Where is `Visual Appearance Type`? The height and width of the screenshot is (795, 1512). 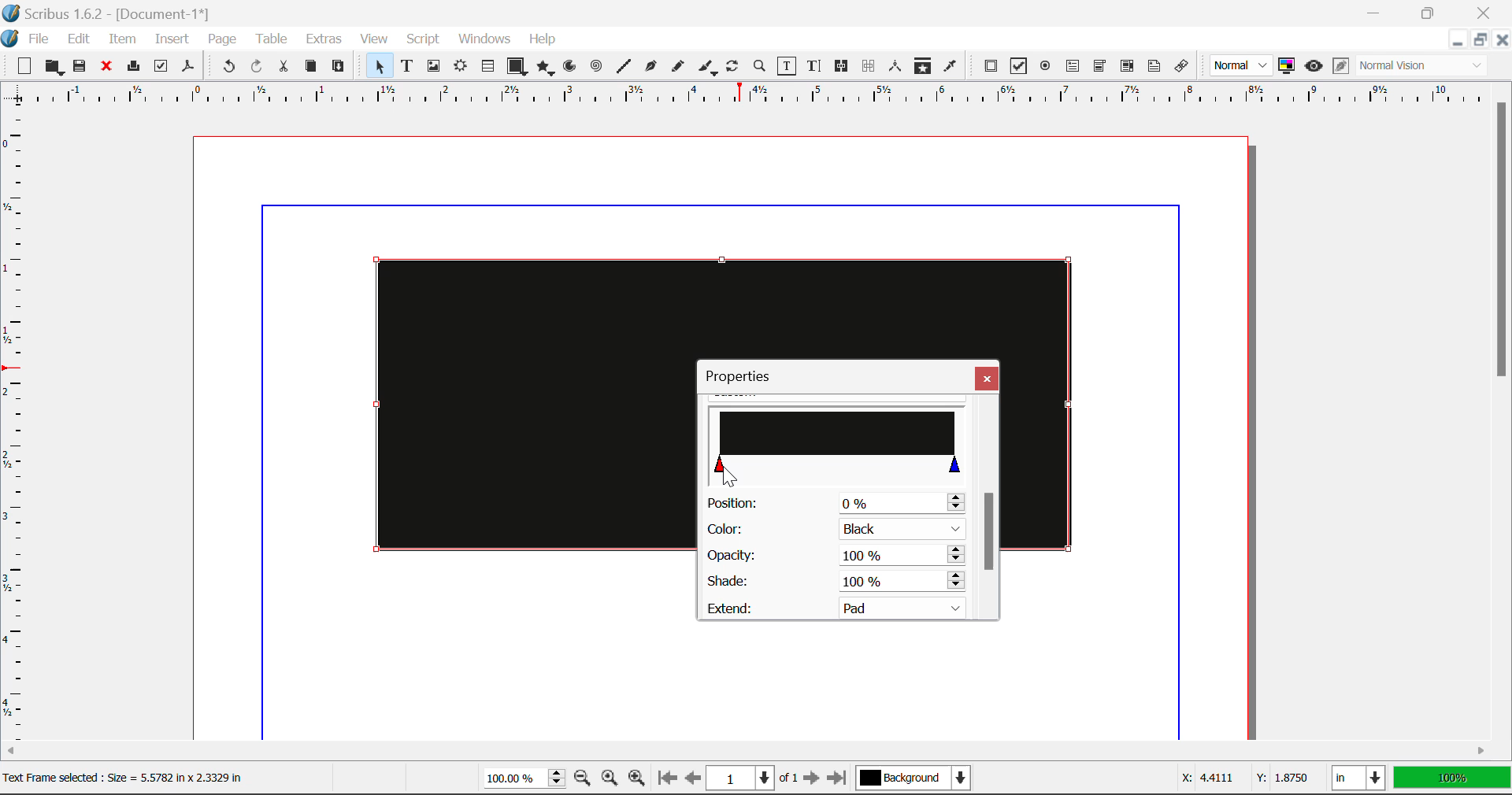
Visual Appearance Type is located at coordinates (1423, 67).